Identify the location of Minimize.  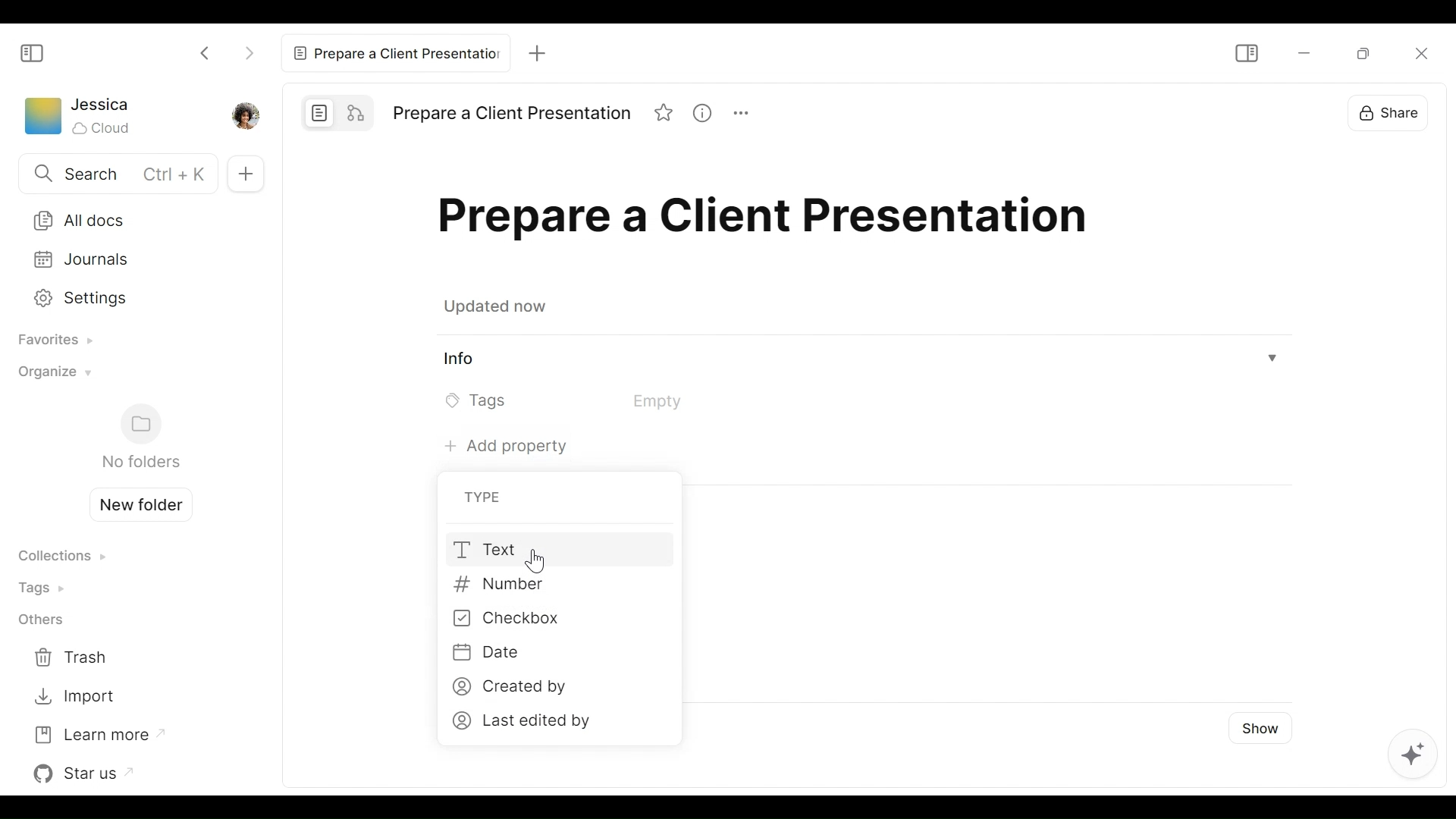
(1357, 55).